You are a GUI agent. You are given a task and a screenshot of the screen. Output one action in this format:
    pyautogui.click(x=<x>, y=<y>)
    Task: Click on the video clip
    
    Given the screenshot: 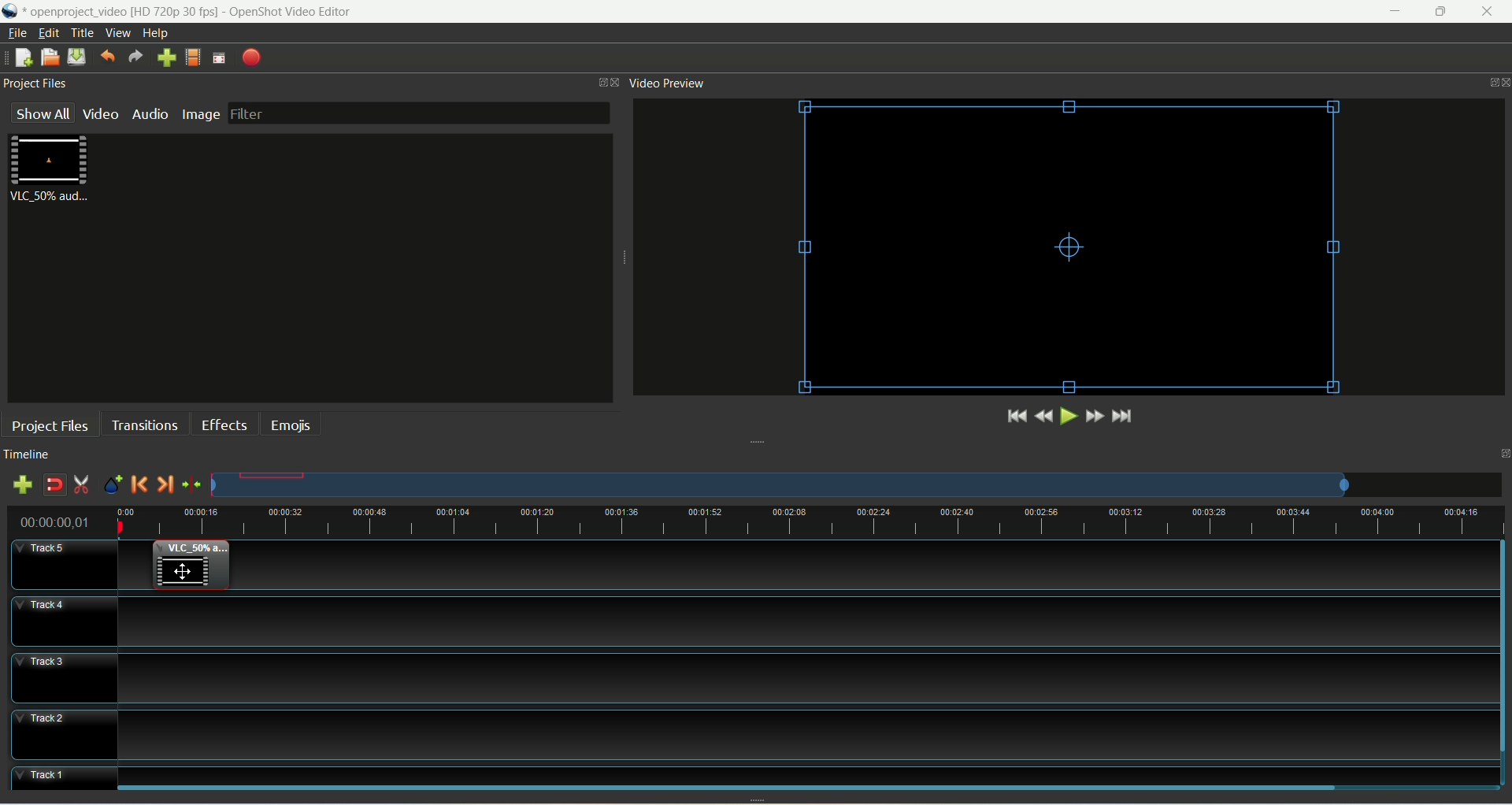 What is the action you would take?
    pyautogui.click(x=53, y=169)
    